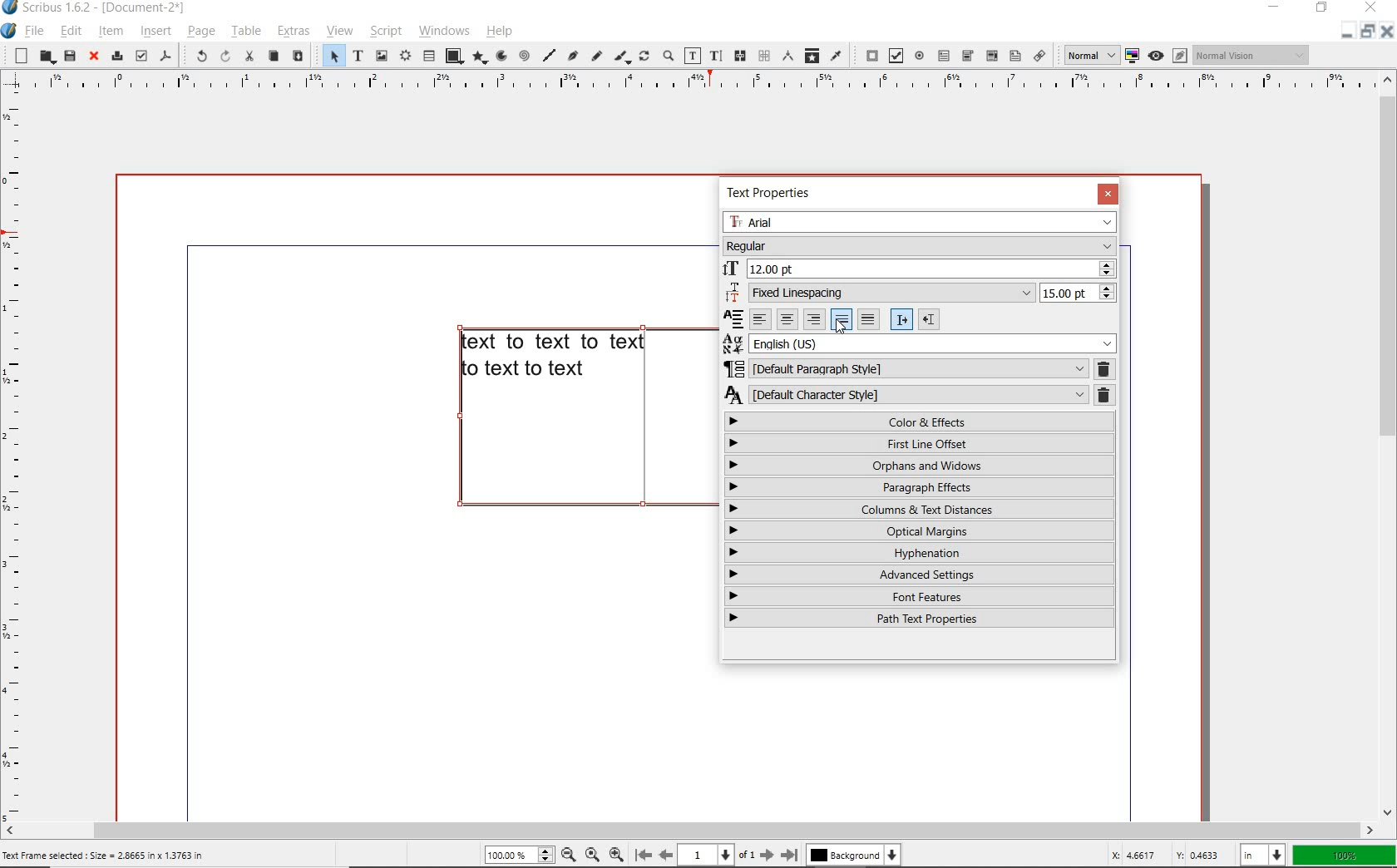 This screenshot has height=868, width=1397. I want to click on  Reconcile, so click(733, 318).